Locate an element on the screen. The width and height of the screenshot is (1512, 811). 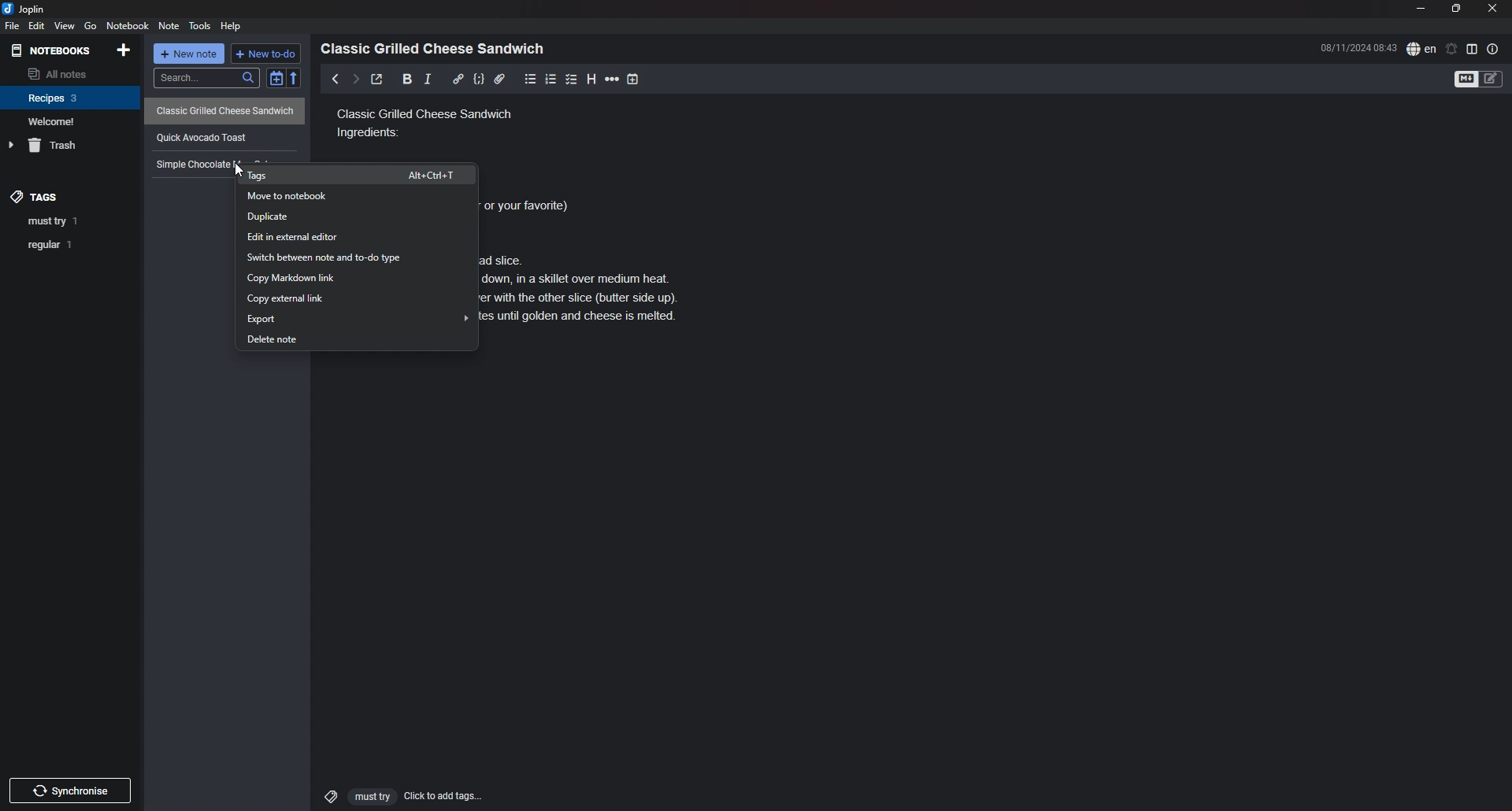
next is located at coordinates (354, 79).